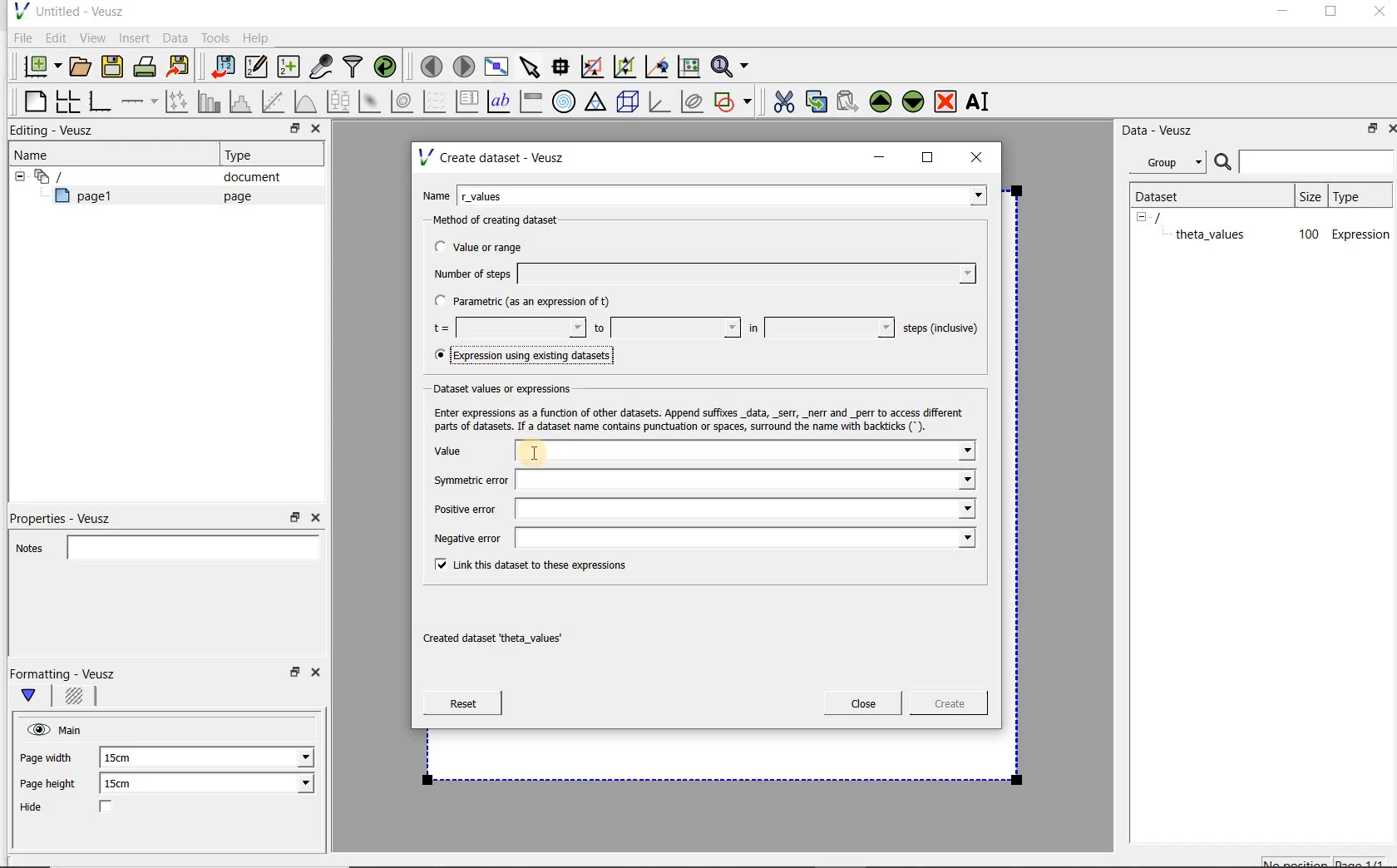  I want to click on No position, so click(1297, 861).